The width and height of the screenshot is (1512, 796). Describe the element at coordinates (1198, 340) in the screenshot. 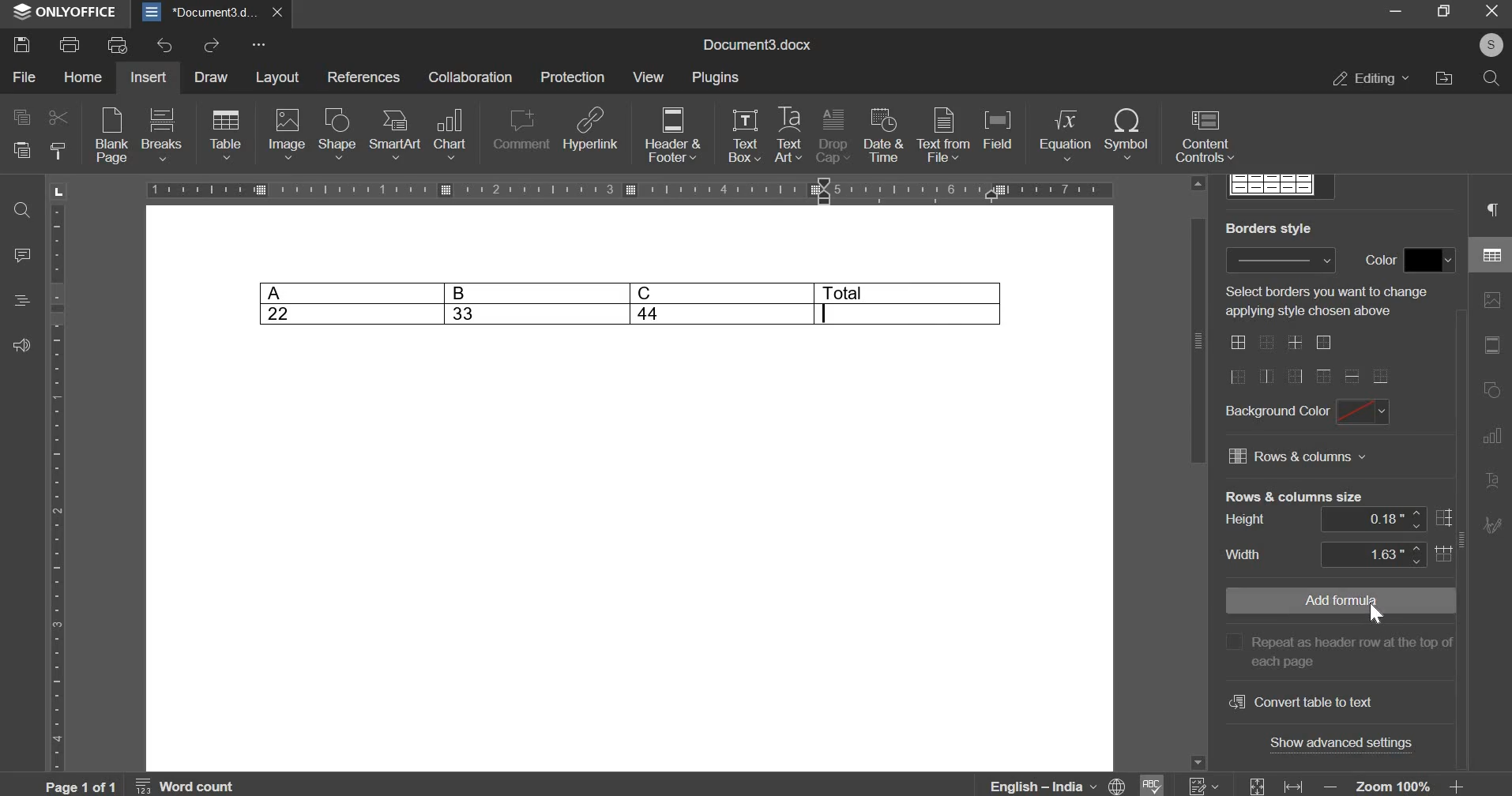

I see `scroll bar` at that location.